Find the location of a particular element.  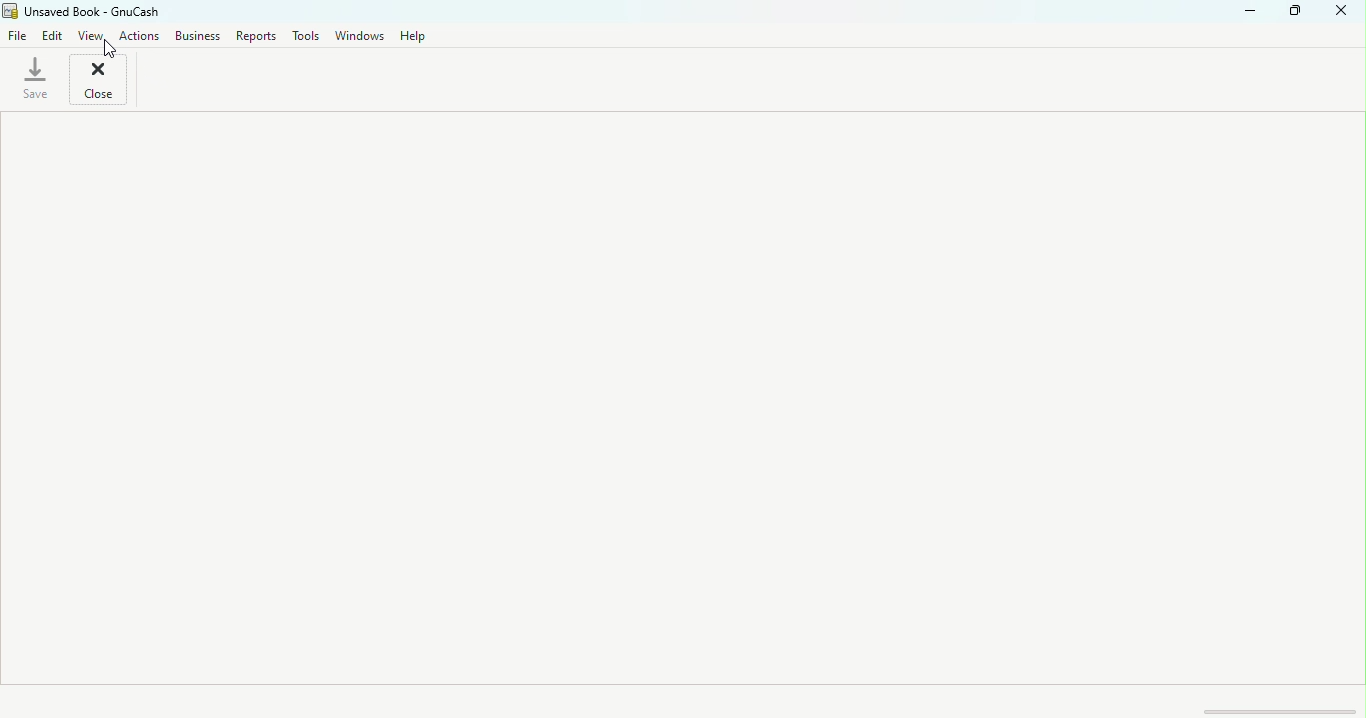

Status bar is located at coordinates (685, 700).